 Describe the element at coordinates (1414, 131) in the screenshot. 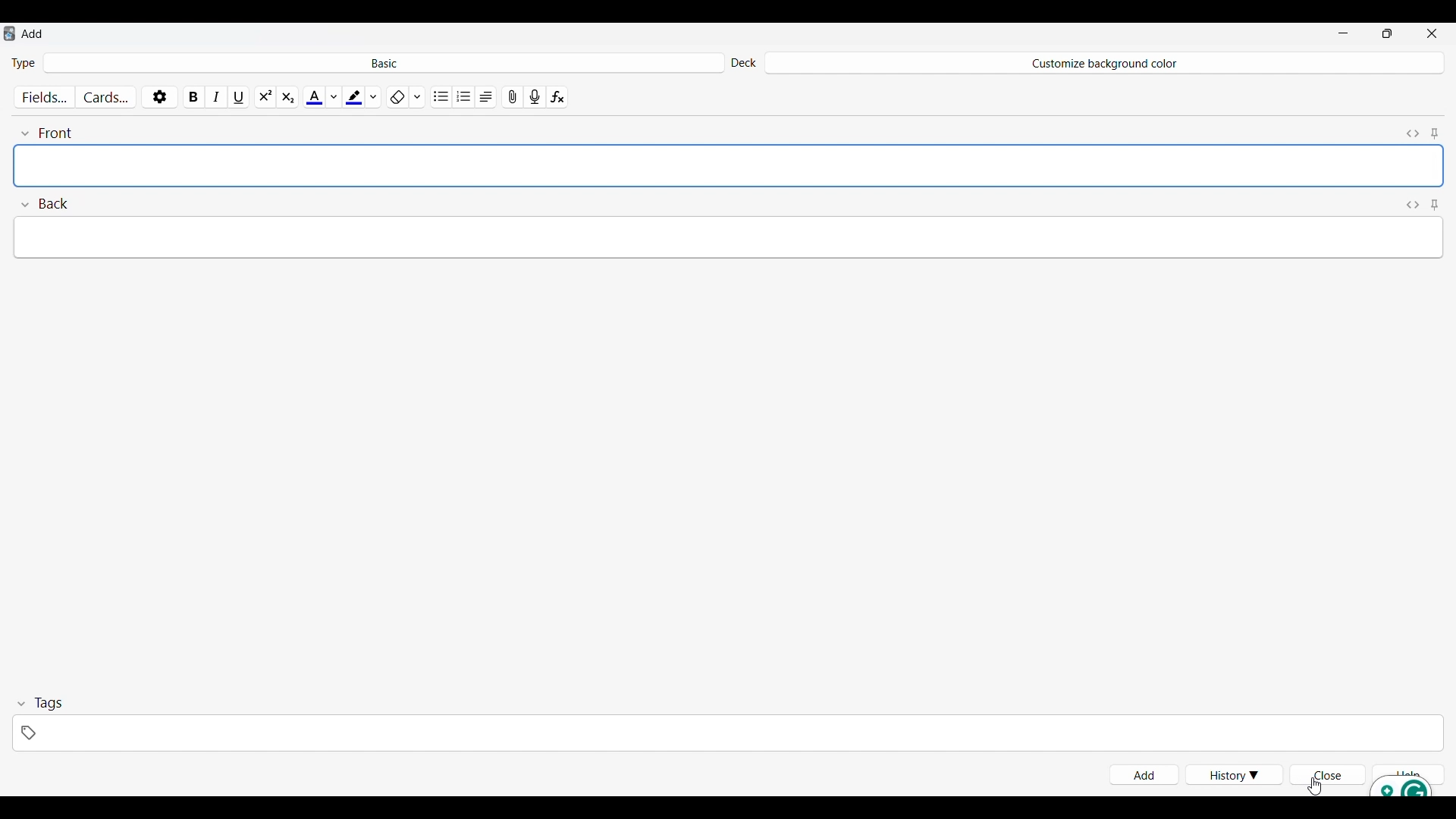

I see `Toggle HTML editor` at that location.